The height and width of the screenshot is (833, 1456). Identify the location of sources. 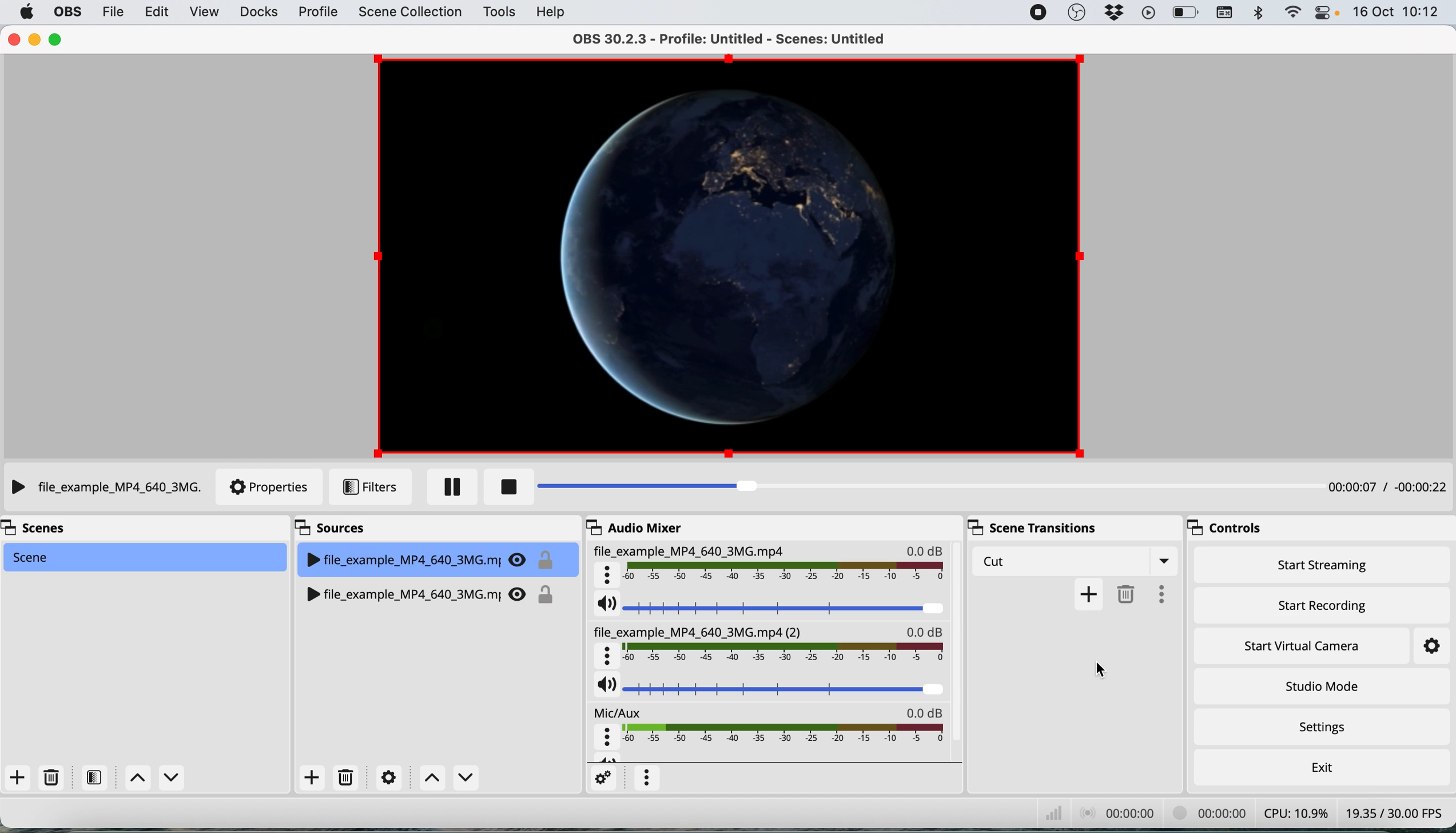
(337, 526).